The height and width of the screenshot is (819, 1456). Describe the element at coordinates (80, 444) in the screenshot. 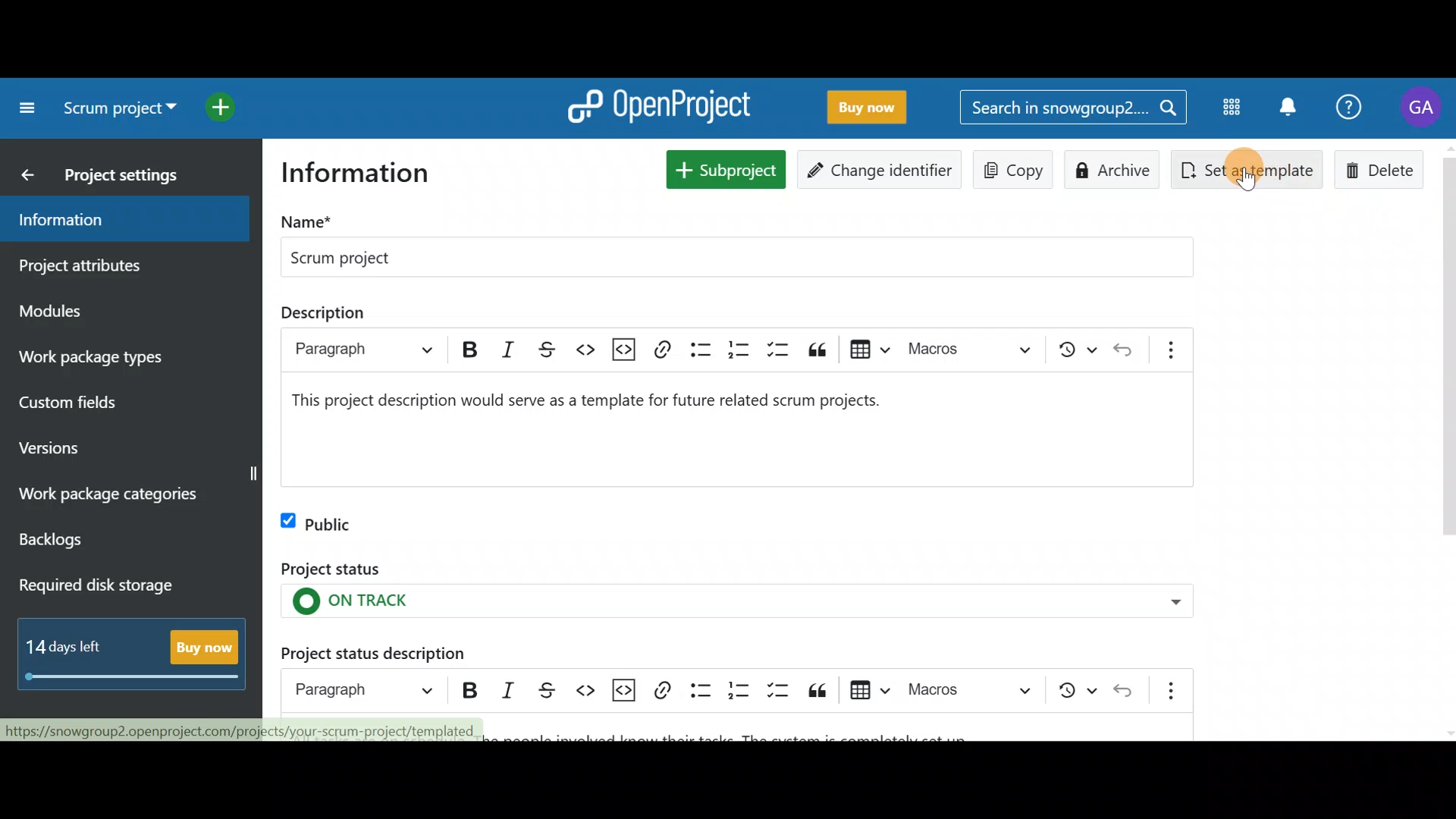

I see `Versions` at that location.